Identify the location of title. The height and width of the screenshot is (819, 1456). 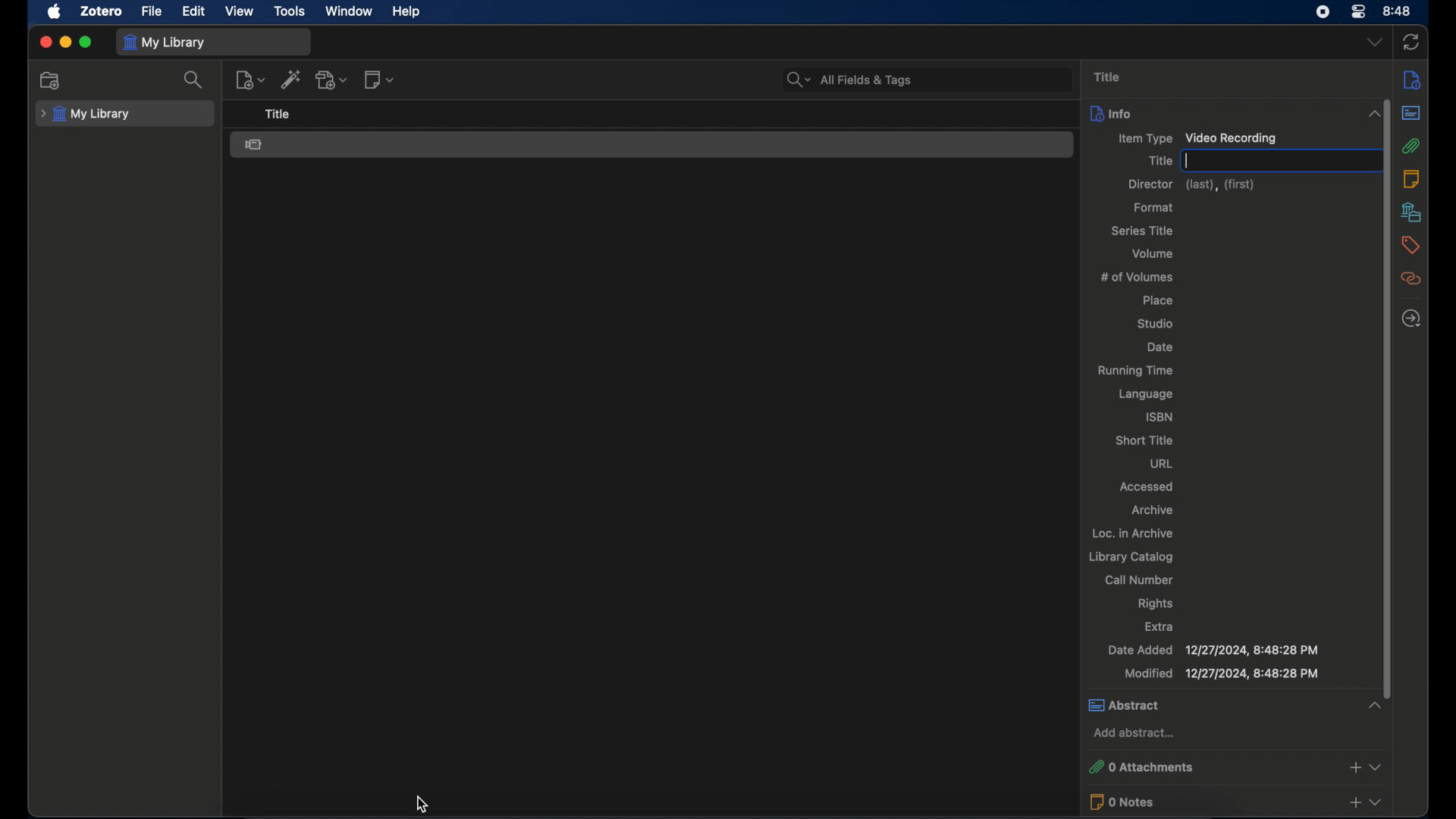
(1159, 161).